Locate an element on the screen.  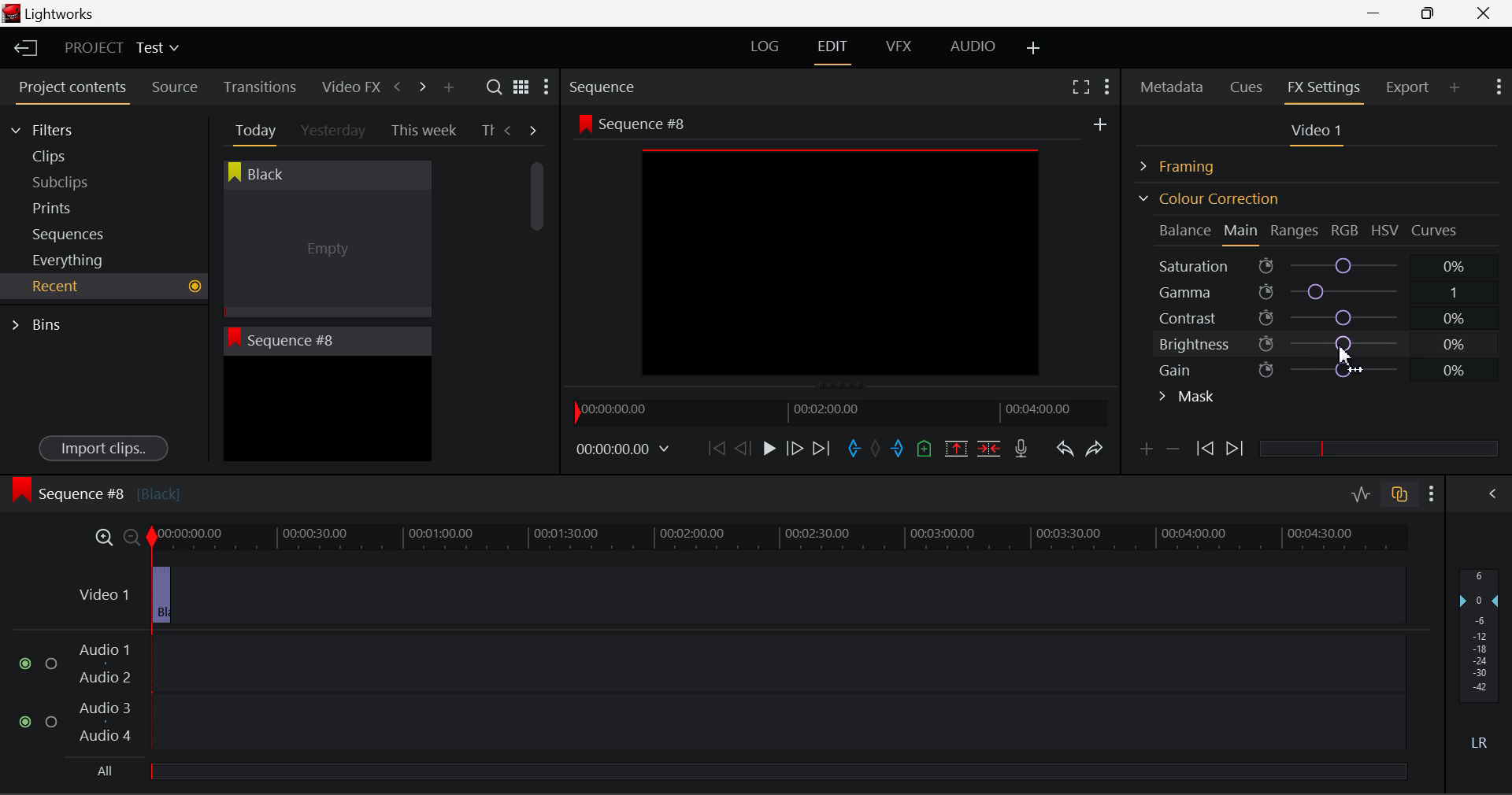
Remove marked section is located at coordinates (955, 447).